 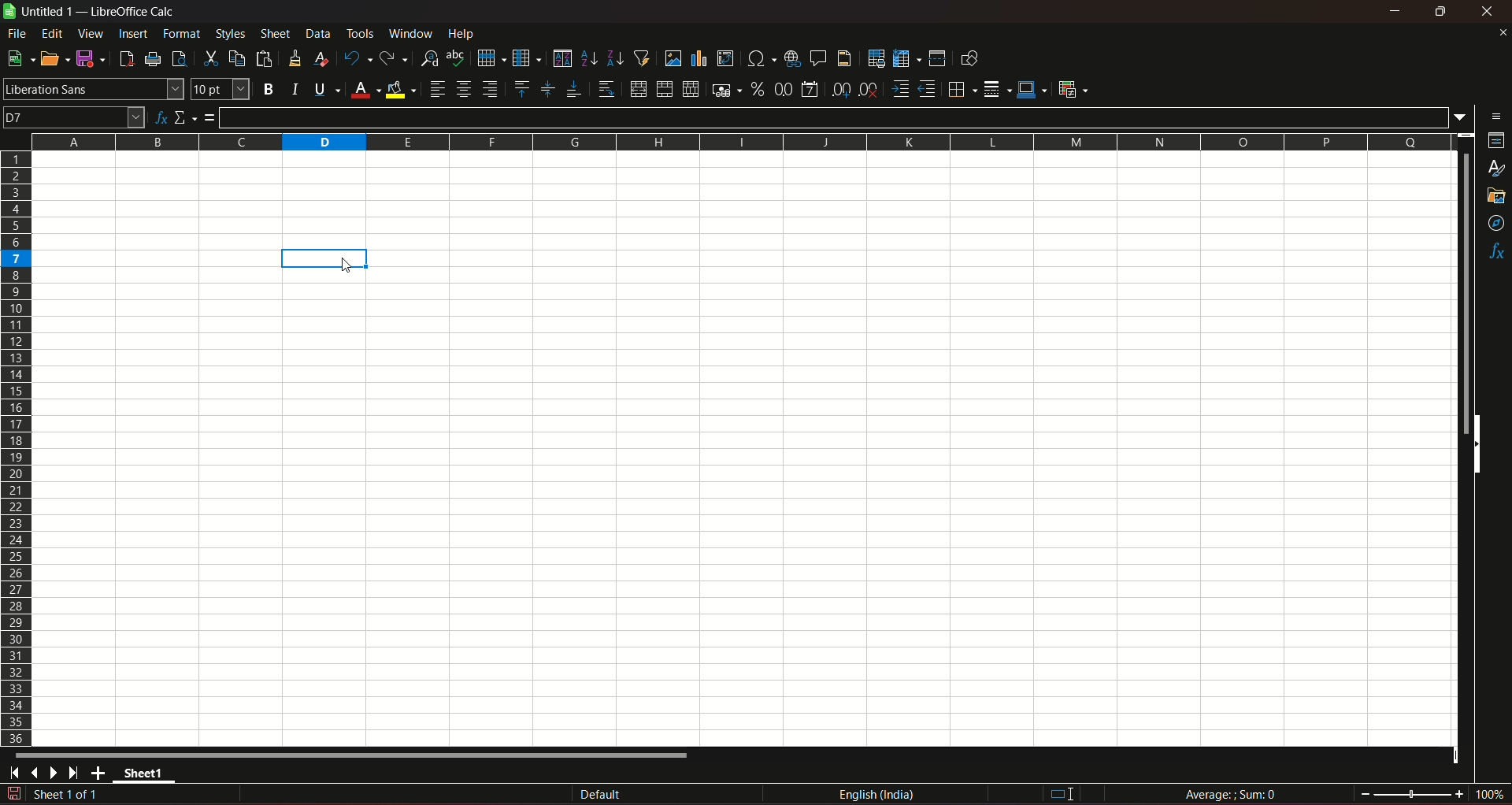 What do you see at coordinates (325, 258) in the screenshot?
I see `highlight` at bounding box center [325, 258].